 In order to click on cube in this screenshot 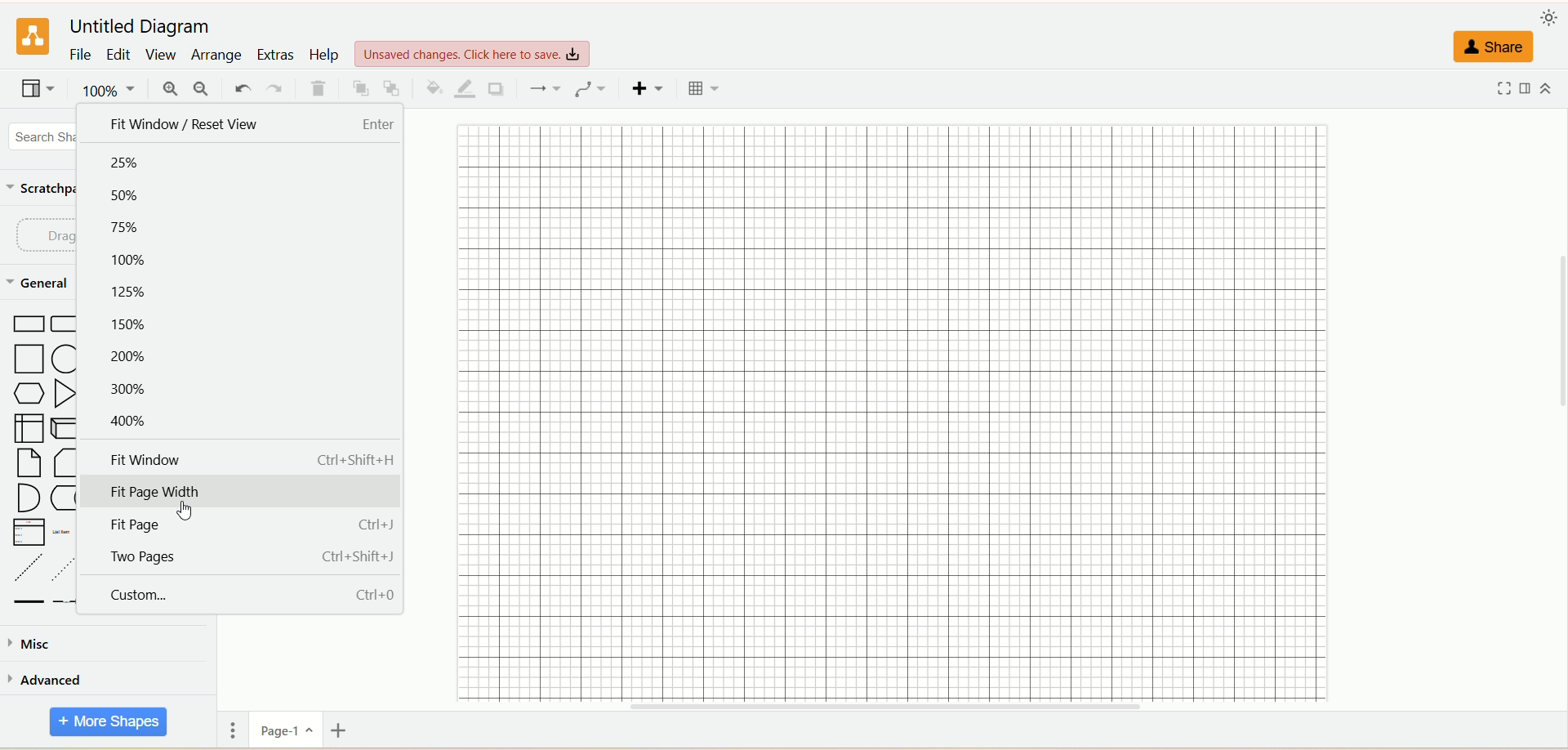, I will do `click(65, 426)`.